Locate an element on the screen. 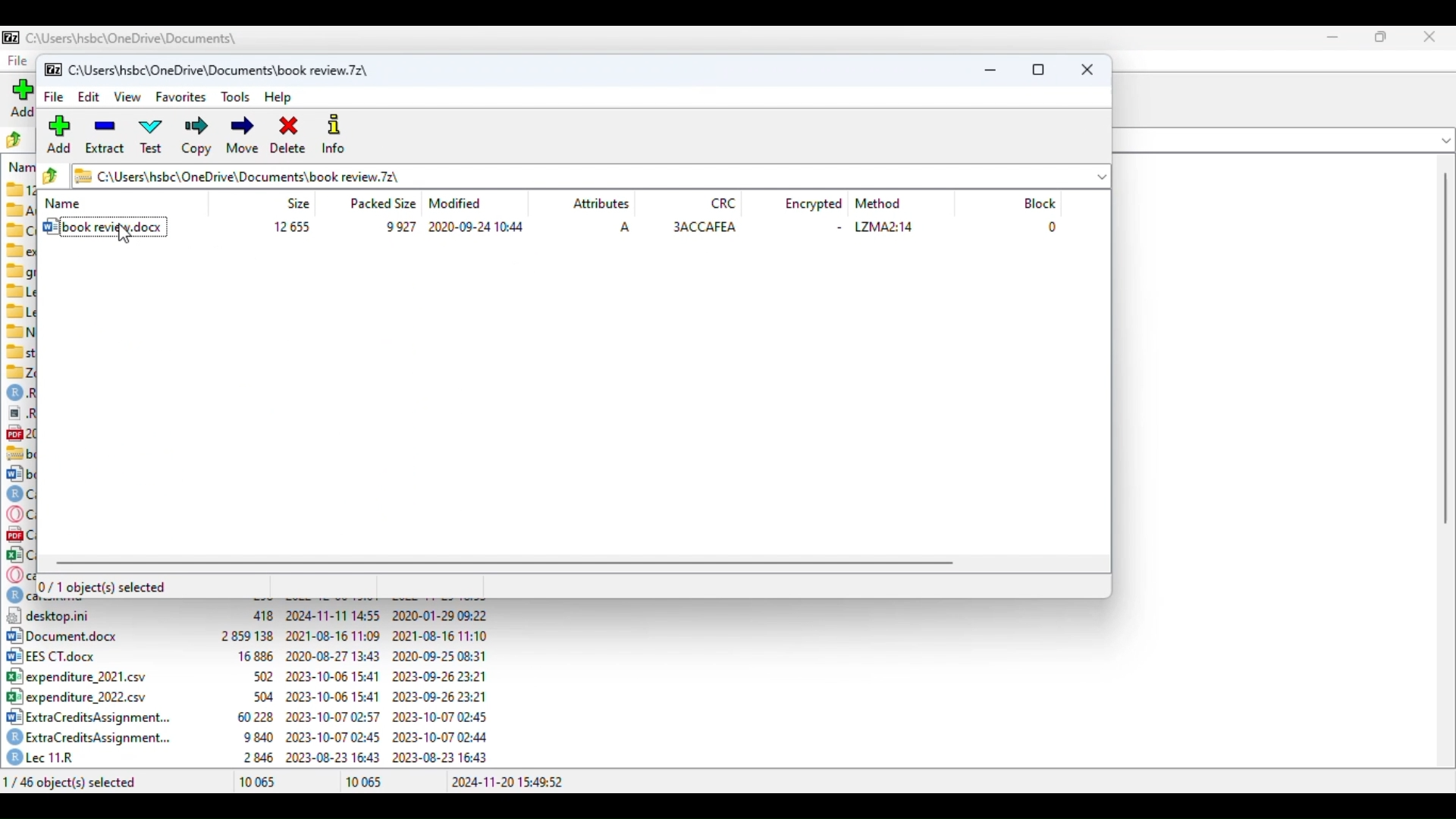 The image size is (1456, 819). favorites is located at coordinates (181, 98).